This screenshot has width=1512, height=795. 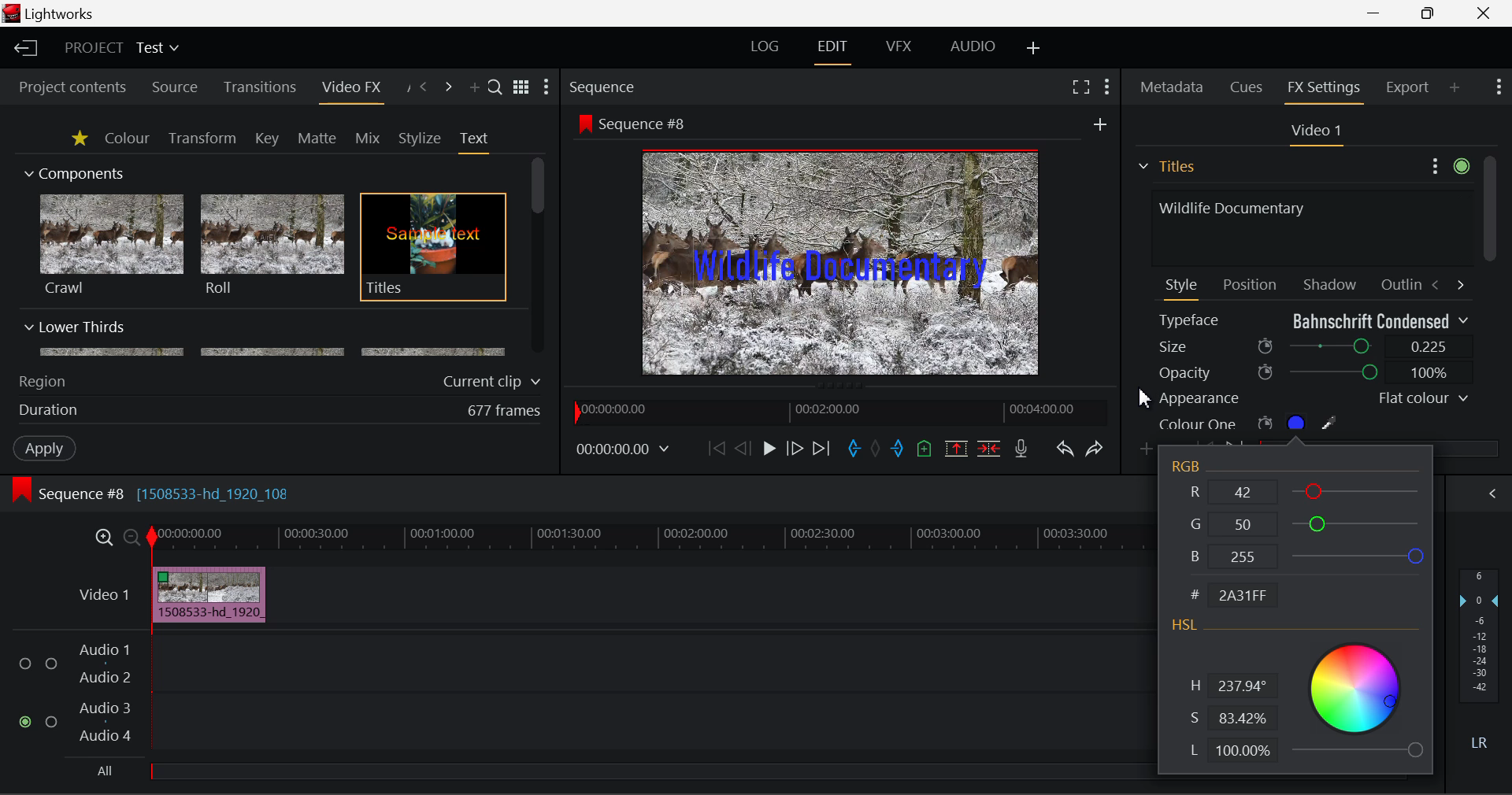 What do you see at coordinates (1274, 423) in the screenshot?
I see `Colour One` at bounding box center [1274, 423].